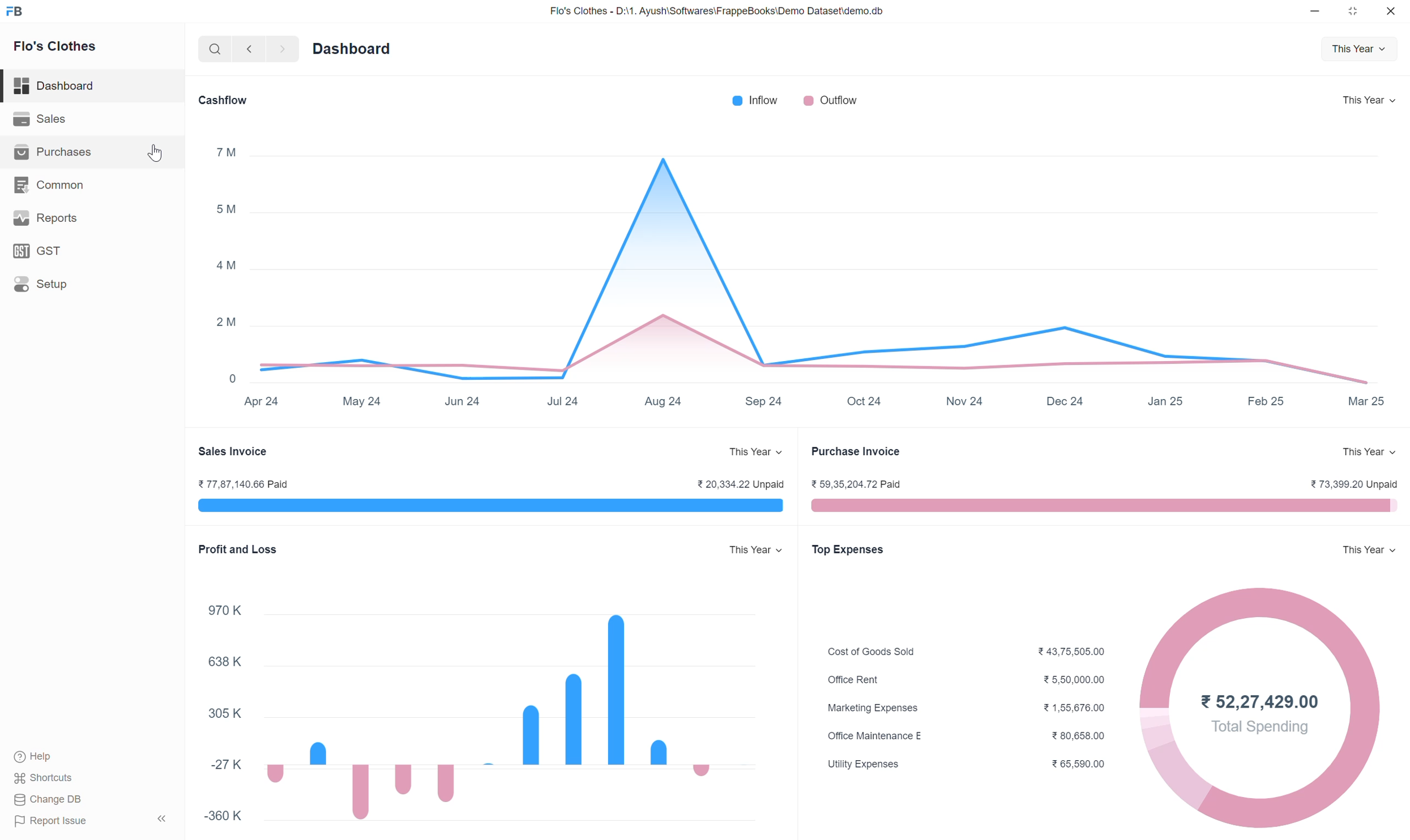 The height and width of the screenshot is (840, 1410). I want to click on Dashboard, so click(349, 49).